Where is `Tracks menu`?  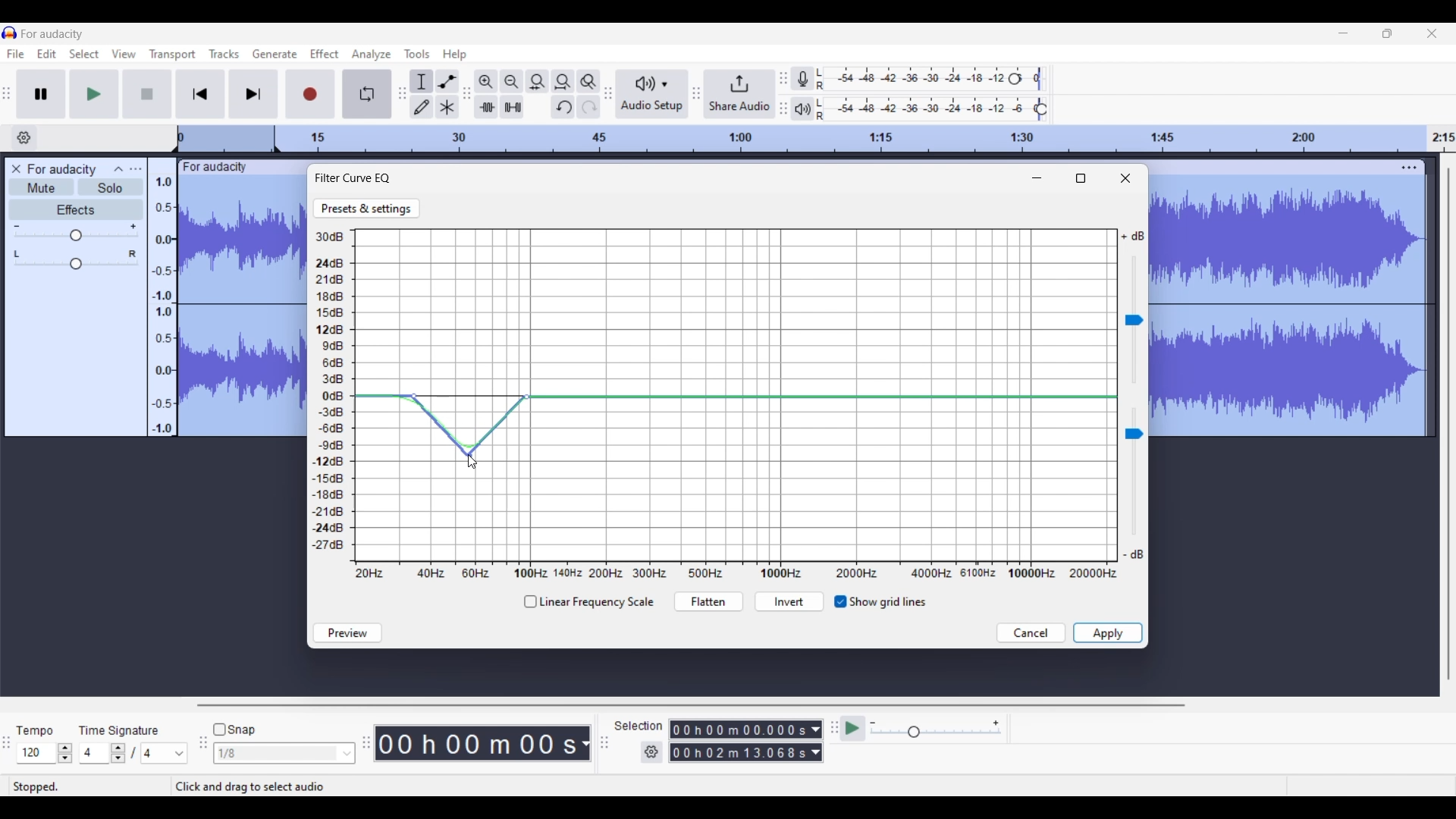
Tracks menu is located at coordinates (224, 54).